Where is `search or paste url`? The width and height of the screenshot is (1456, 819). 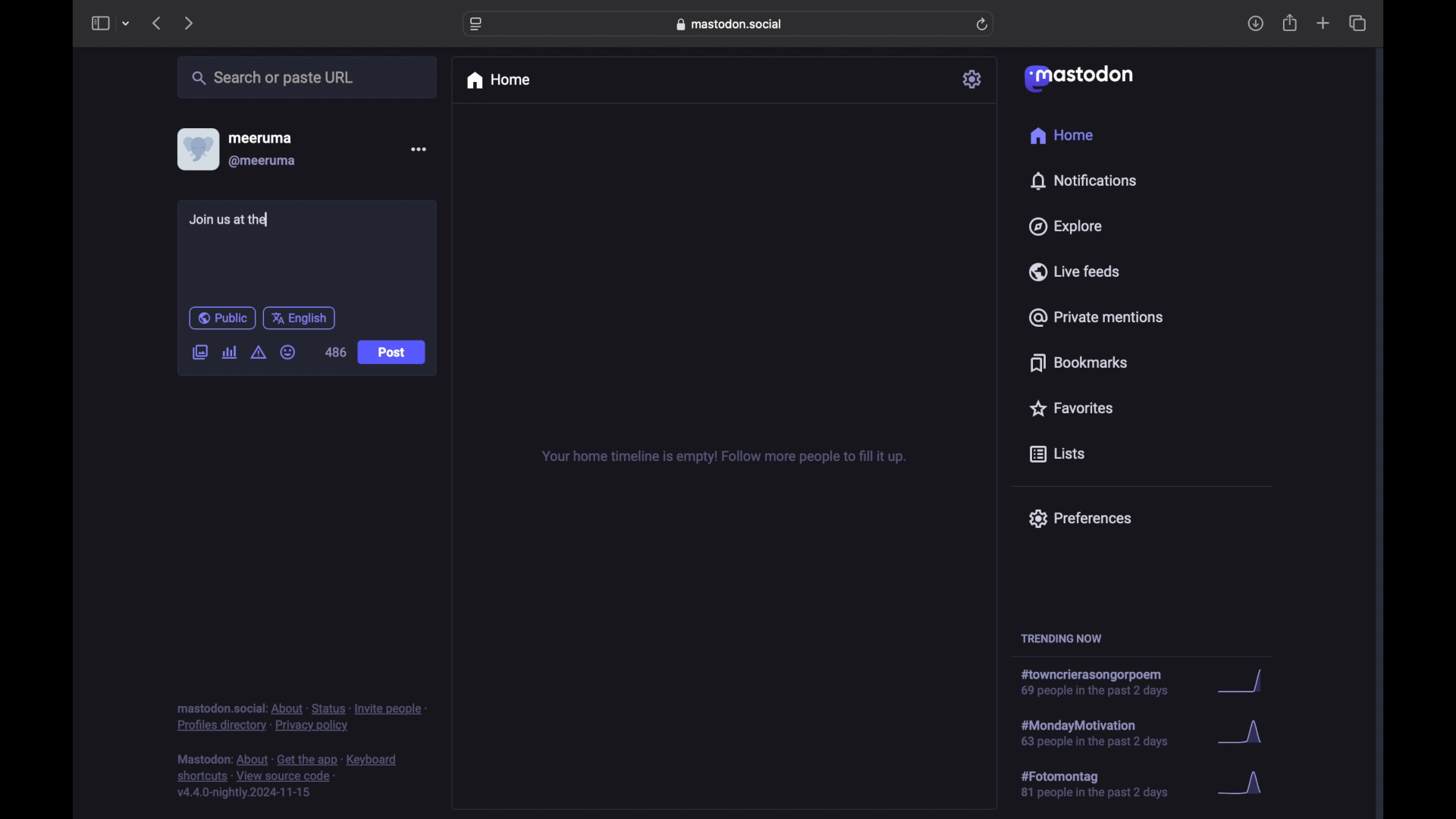 search or paste url is located at coordinates (272, 78).